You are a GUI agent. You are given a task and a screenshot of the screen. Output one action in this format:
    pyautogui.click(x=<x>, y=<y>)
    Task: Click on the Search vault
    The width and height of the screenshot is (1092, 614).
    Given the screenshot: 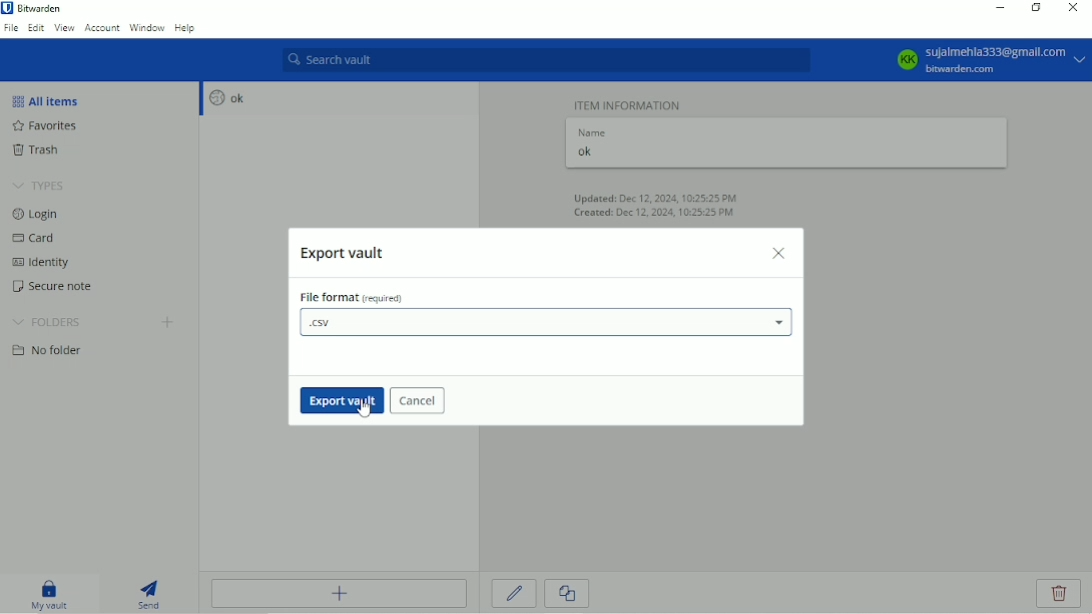 What is the action you would take?
    pyautogui.click(x=546, y=60)
    